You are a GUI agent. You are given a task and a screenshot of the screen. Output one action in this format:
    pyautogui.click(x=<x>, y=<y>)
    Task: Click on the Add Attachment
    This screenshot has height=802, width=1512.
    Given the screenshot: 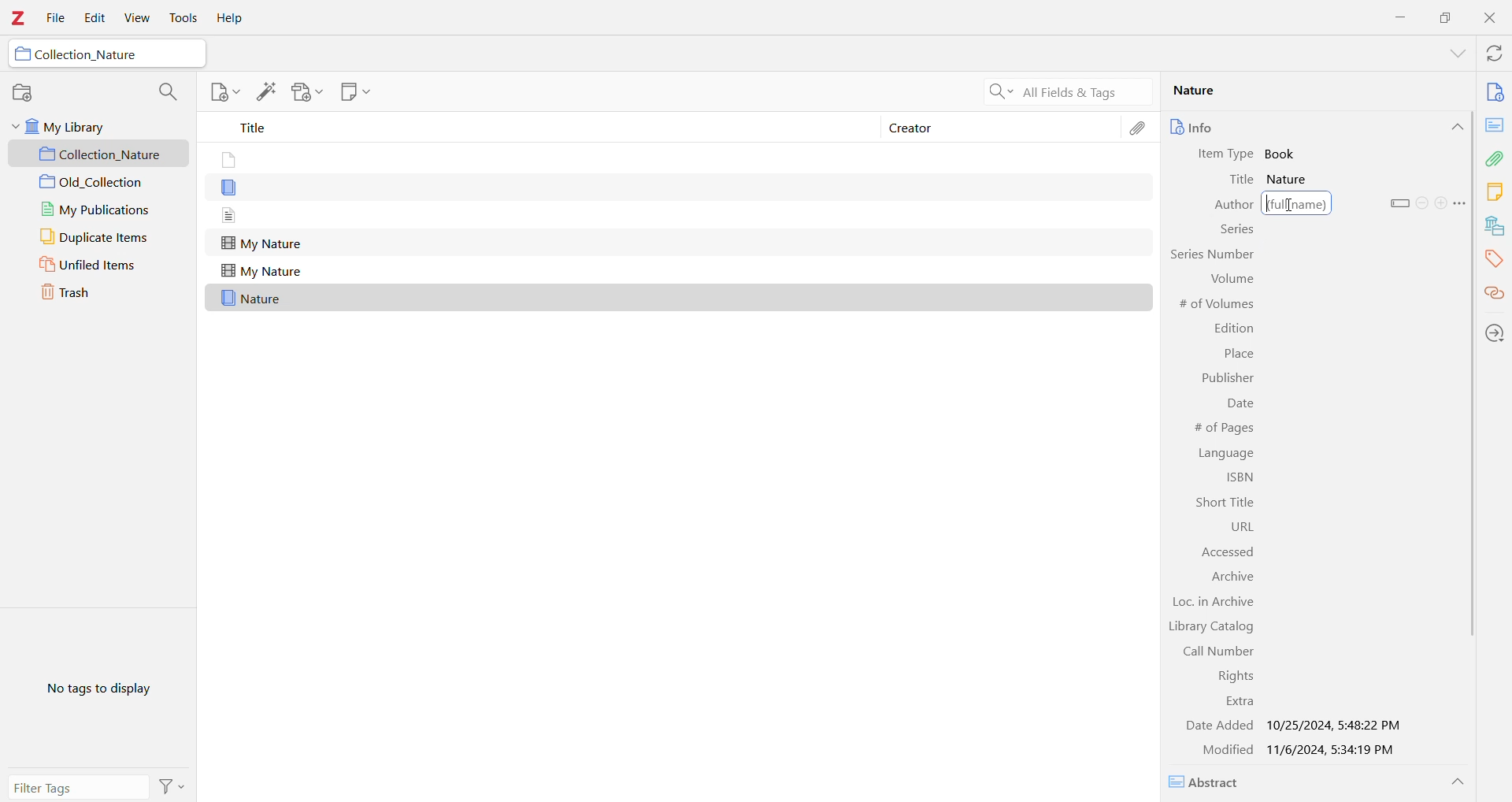 What is the action you would take?
    pyautogui.click(x=307, y=92)
    